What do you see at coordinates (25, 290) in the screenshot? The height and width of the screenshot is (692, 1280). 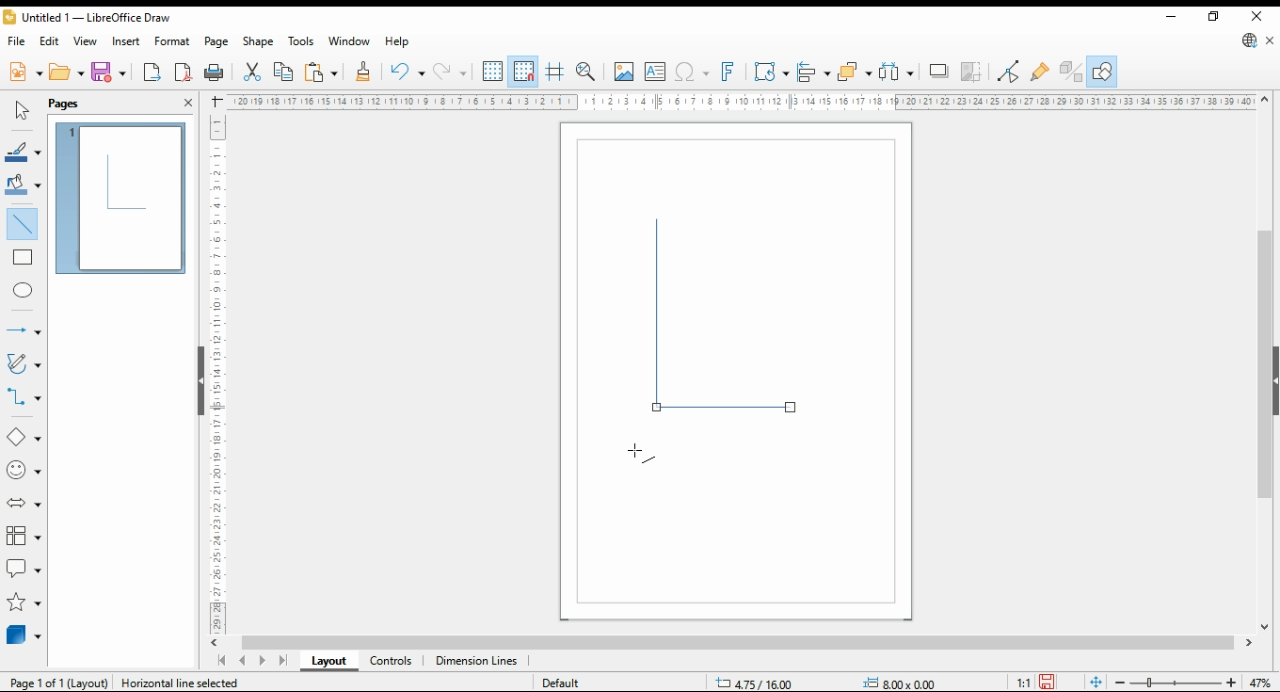 I see `ellipse` at bounding box center [25, 290].